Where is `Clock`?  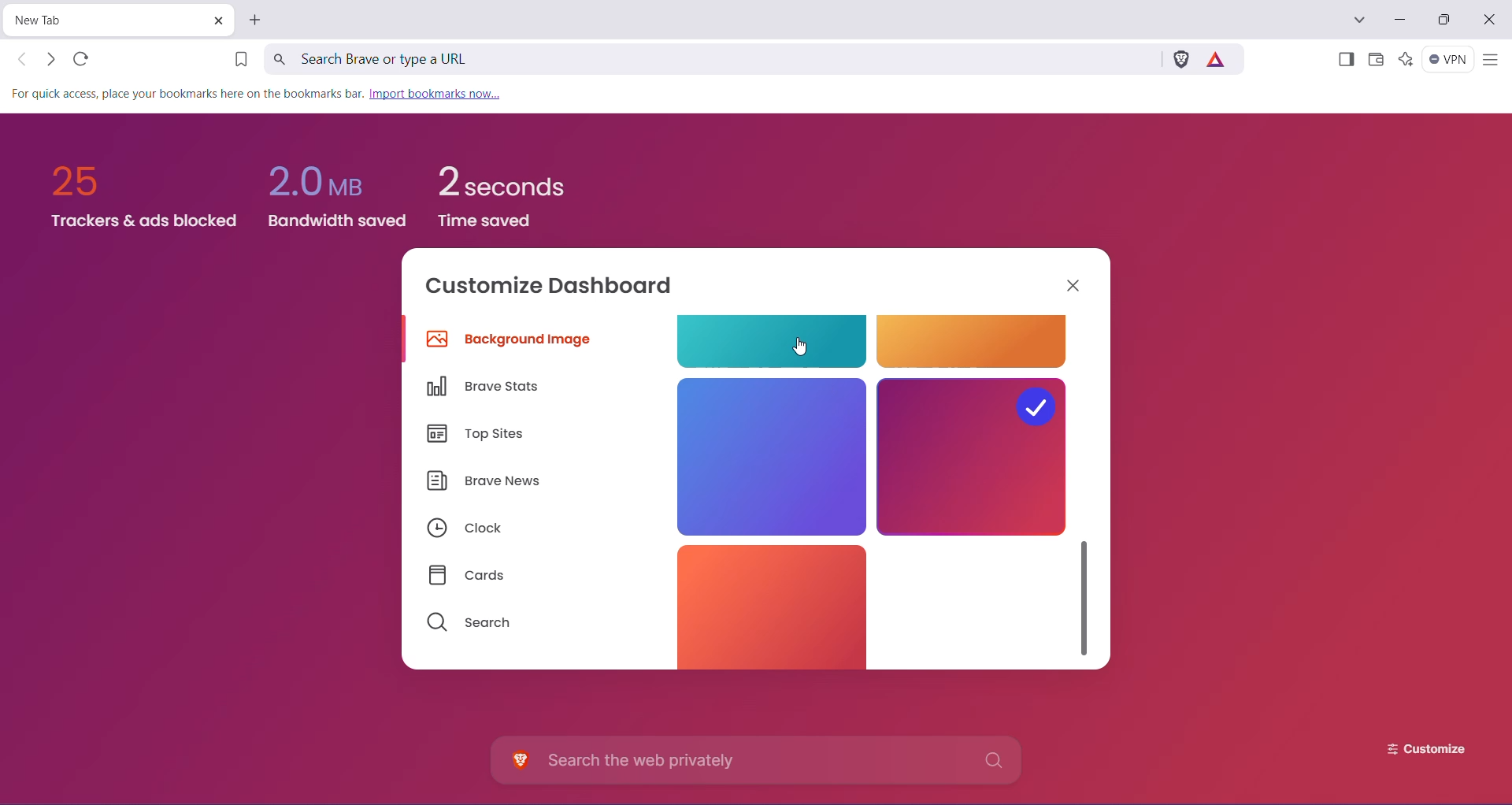 Clock is located at coordinates (464, 529).